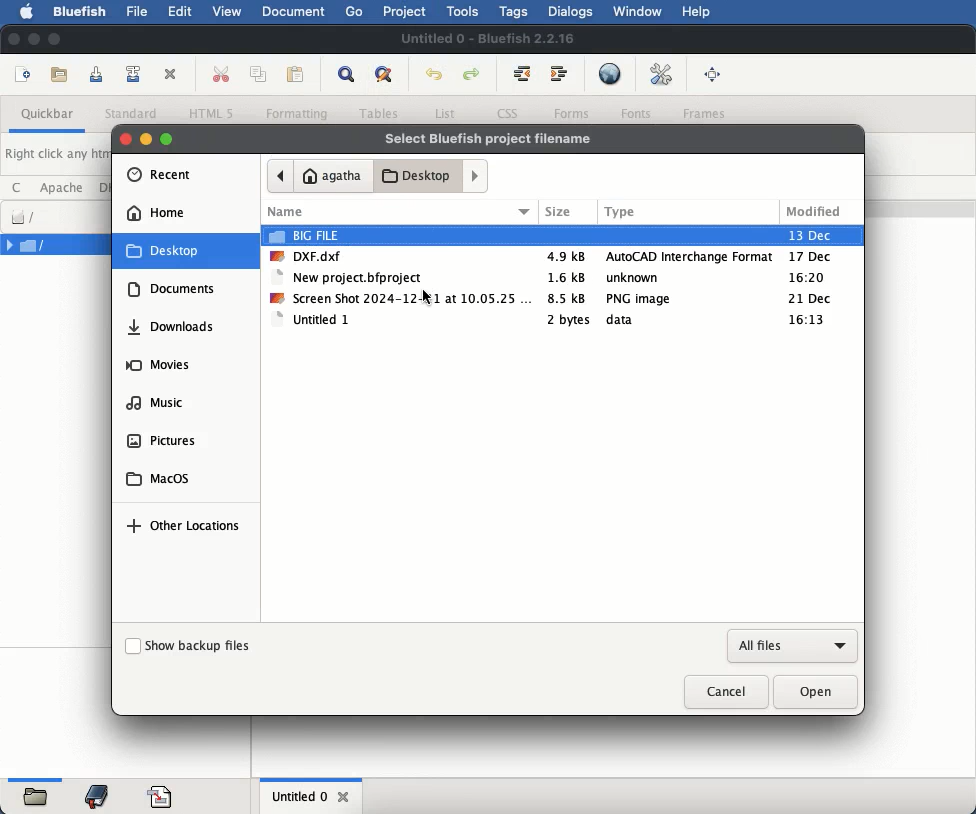 This screenshot has width=976, height=814. What do you see at coordinates (809, 235) in the screenshot?
I see `13 Dec` at bounding box center [809, 235].